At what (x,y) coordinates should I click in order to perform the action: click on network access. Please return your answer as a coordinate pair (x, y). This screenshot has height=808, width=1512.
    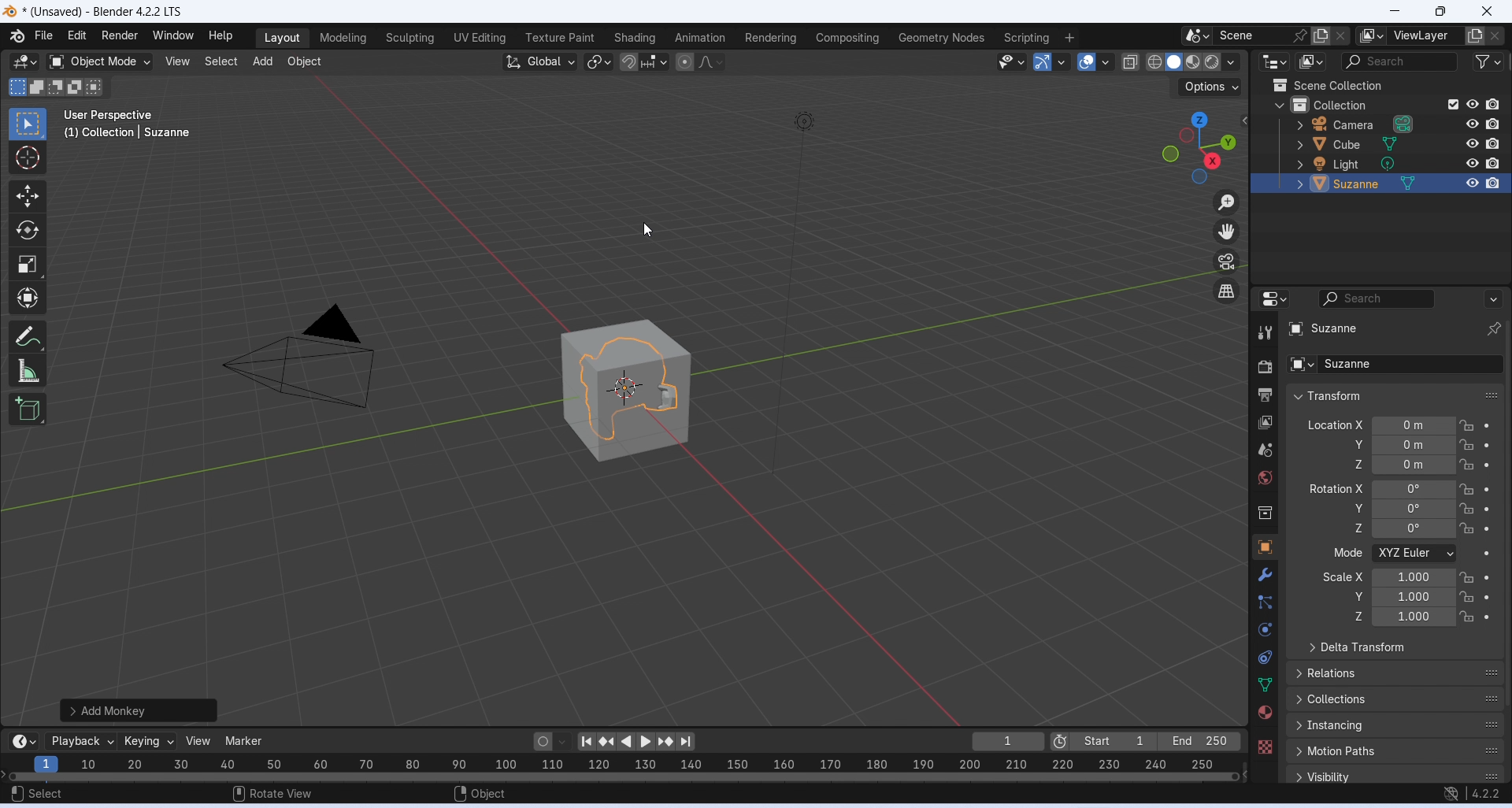
    Looking at the image, I should click on (1451, 795).